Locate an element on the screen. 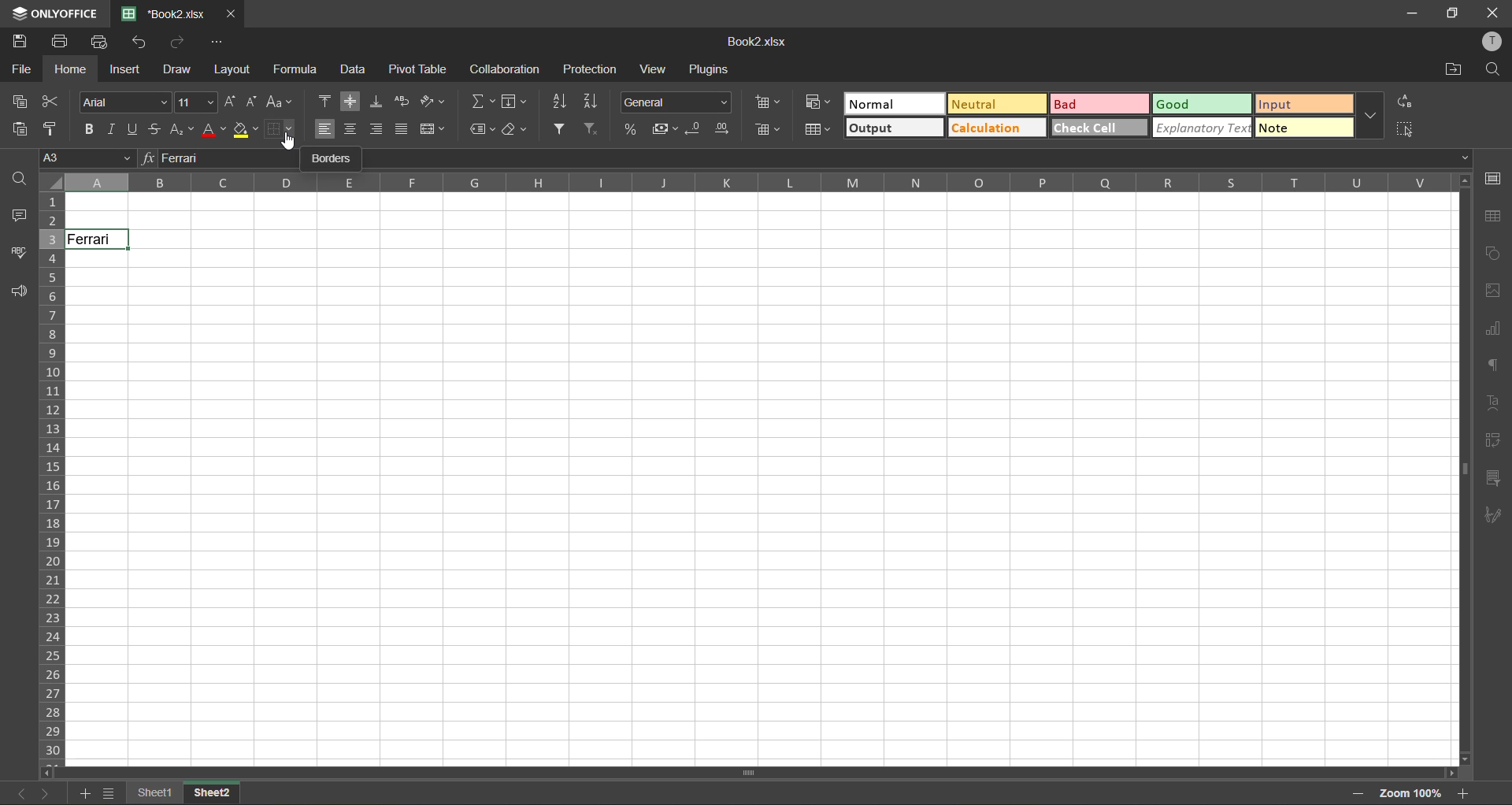  close is located at coordinates (1493, 12).